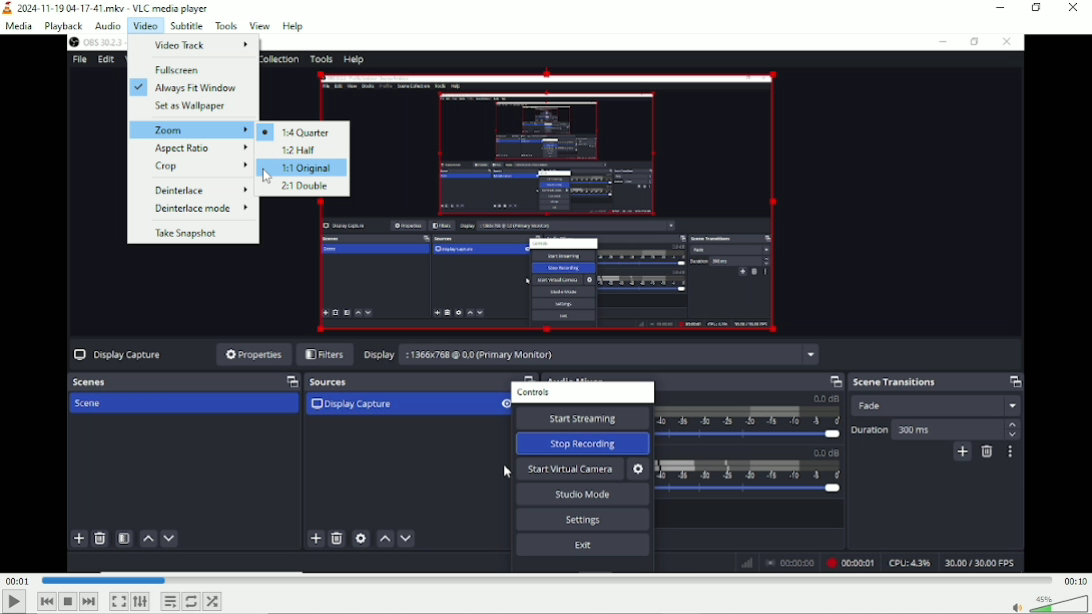 This screenshot has width=1092, height=614. I want to click on playback, so click(63, 26).